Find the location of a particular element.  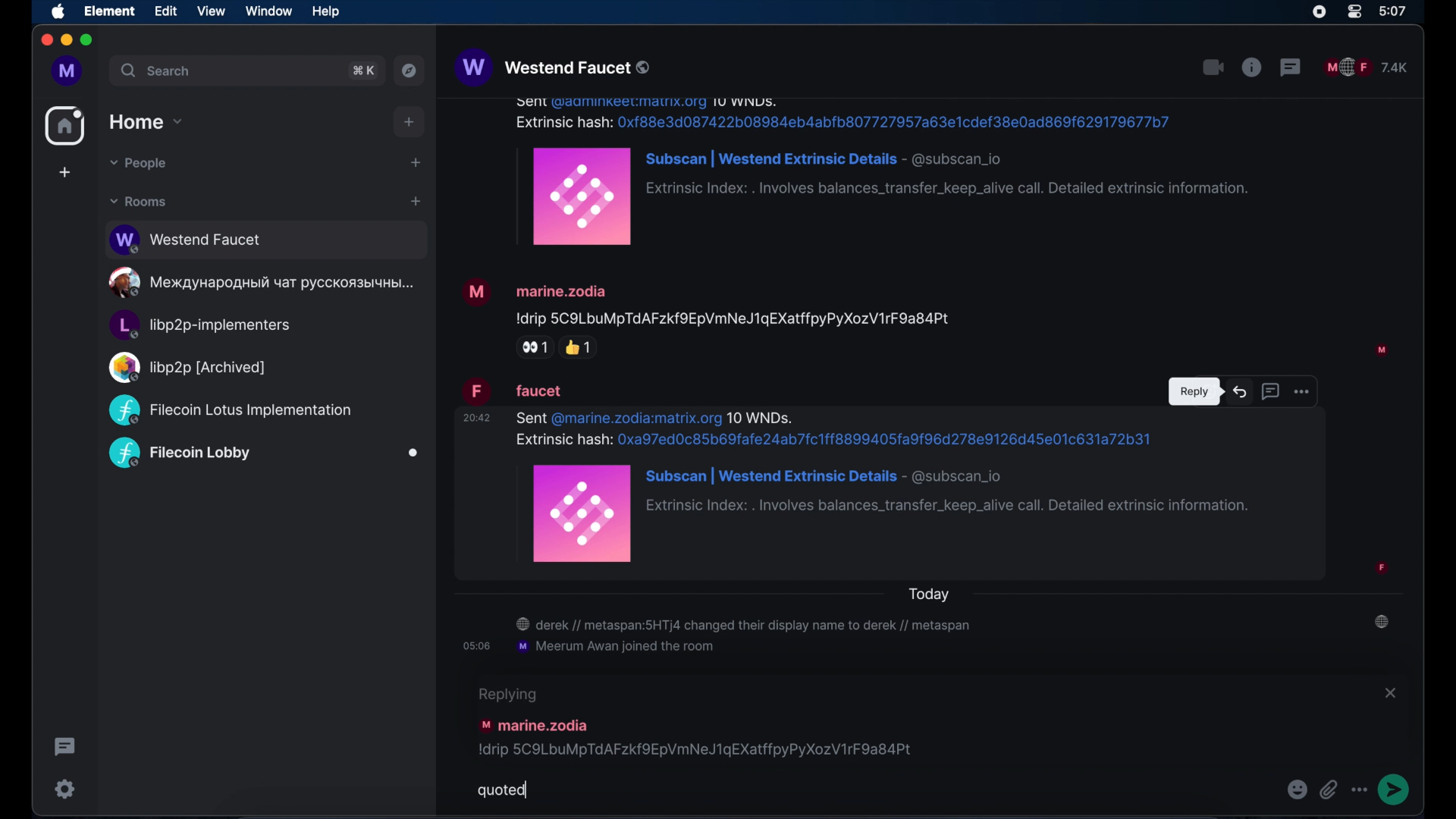

video call is located at coordinates (1213, 67).